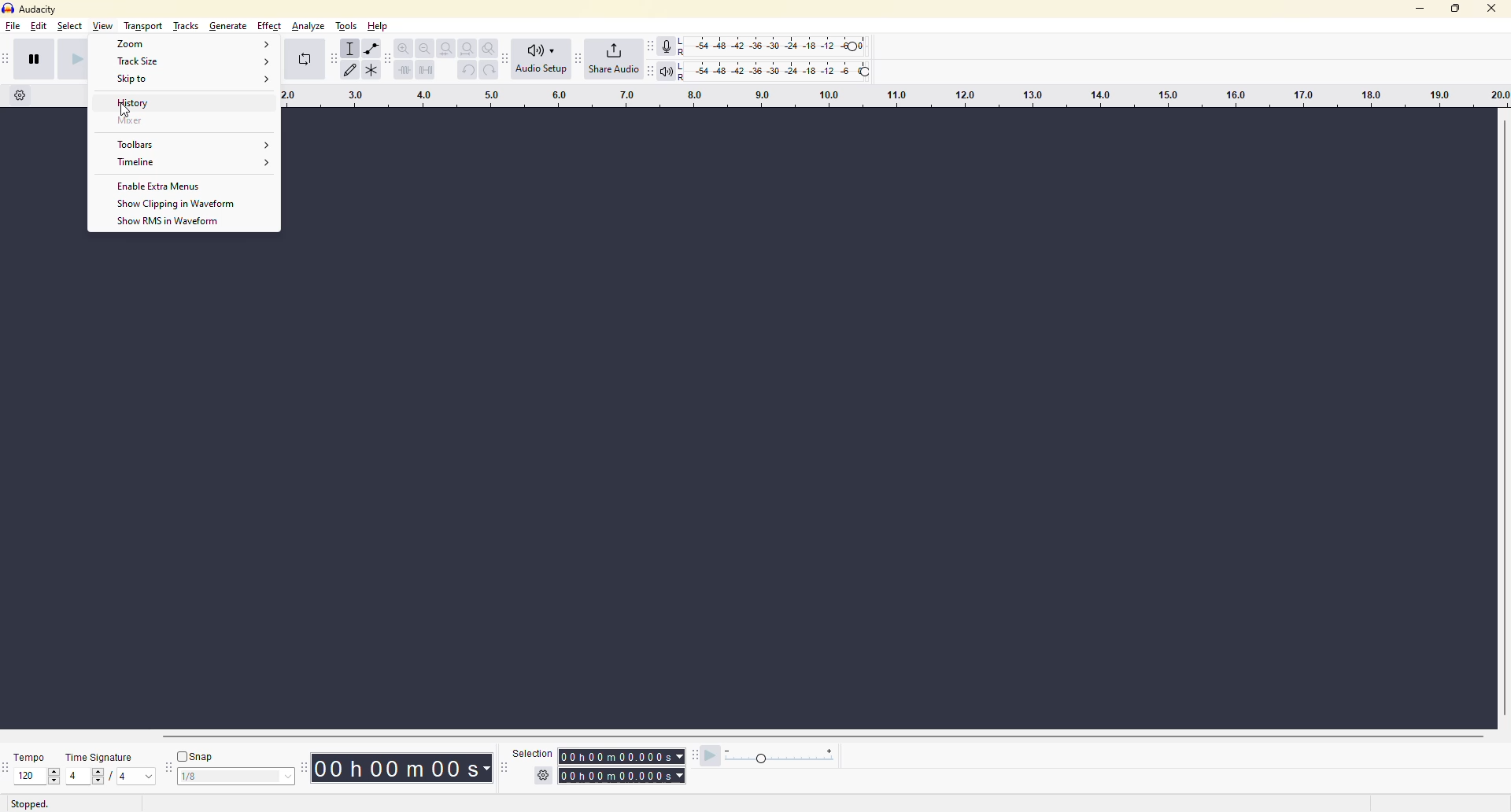 This screenshot has width=1511, height=812. I want to click on zoom, so click(192, 45).